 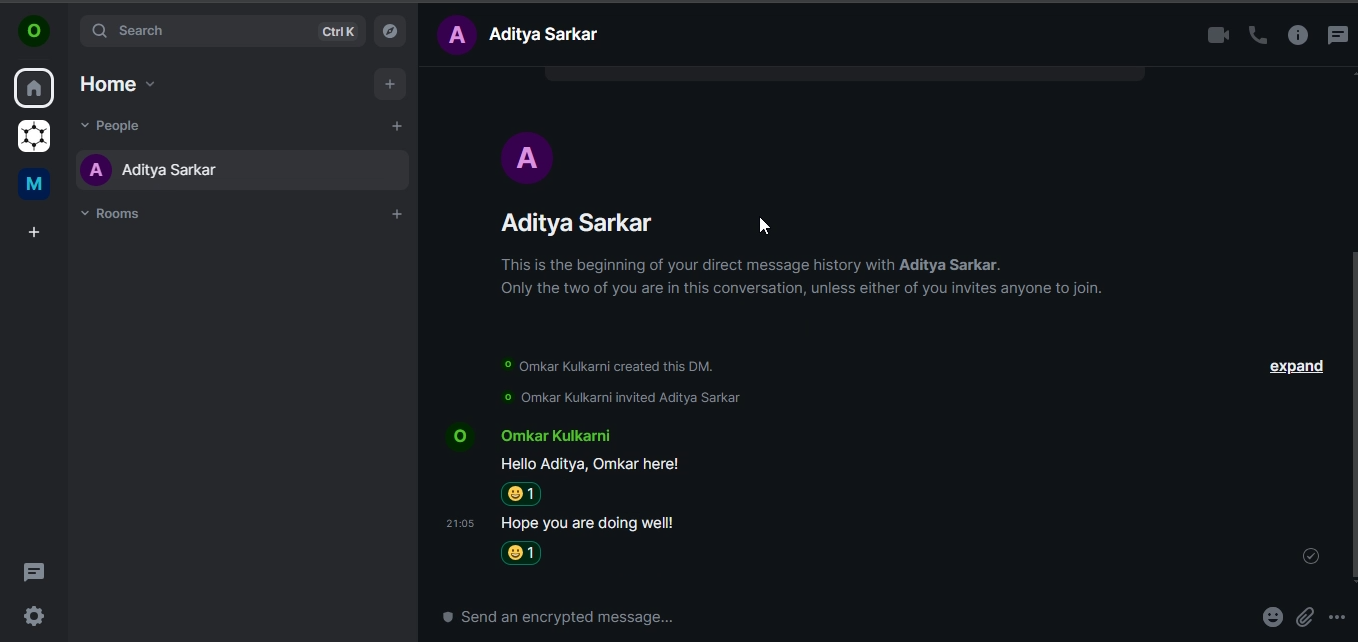 I want to click on Hello Aditya, Omkar here!, so click(x=600, y=462).